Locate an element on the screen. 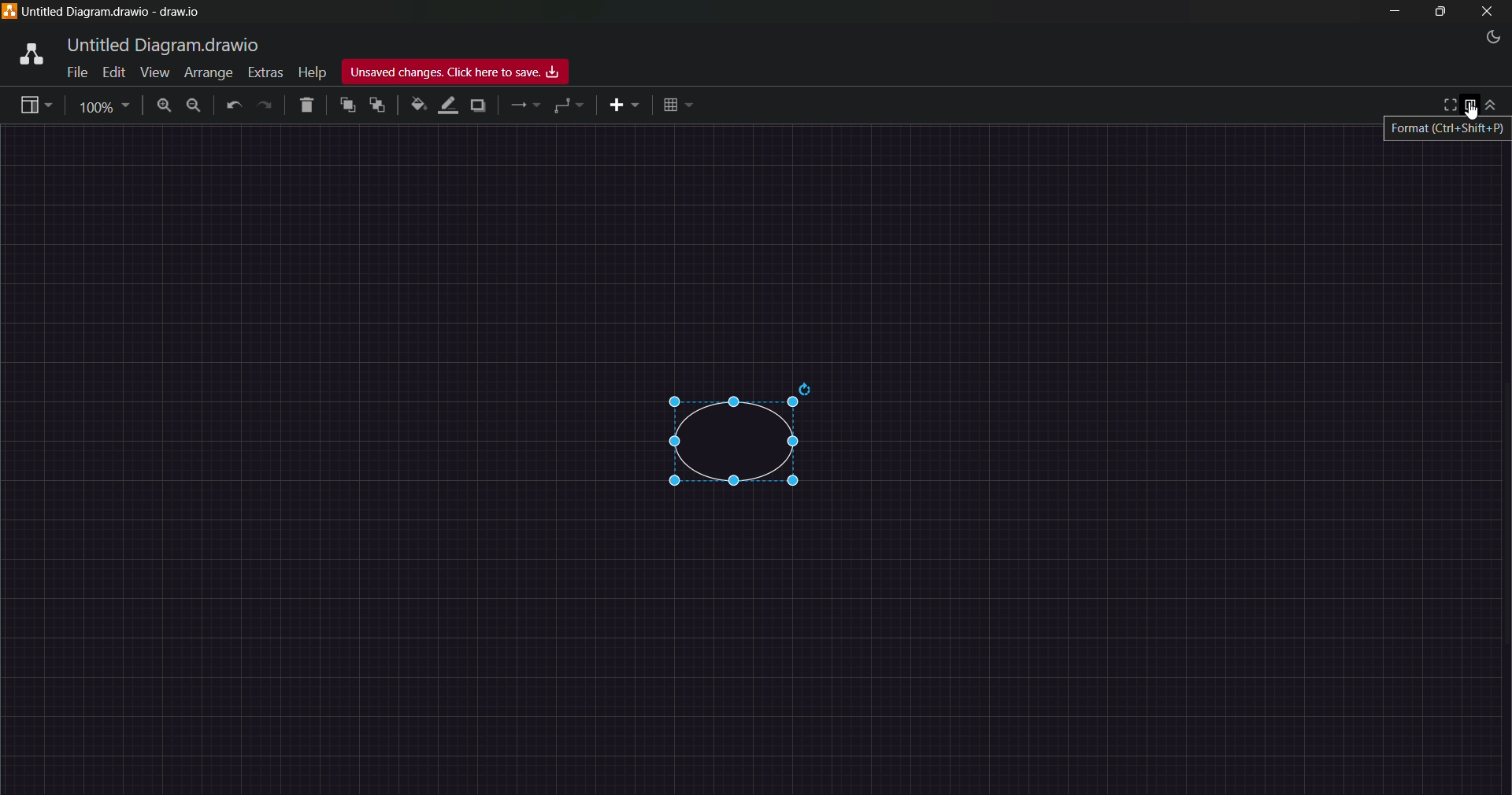 The width and height of the screenshot is (1512, 795). insert is located at coordinates (625, 105).